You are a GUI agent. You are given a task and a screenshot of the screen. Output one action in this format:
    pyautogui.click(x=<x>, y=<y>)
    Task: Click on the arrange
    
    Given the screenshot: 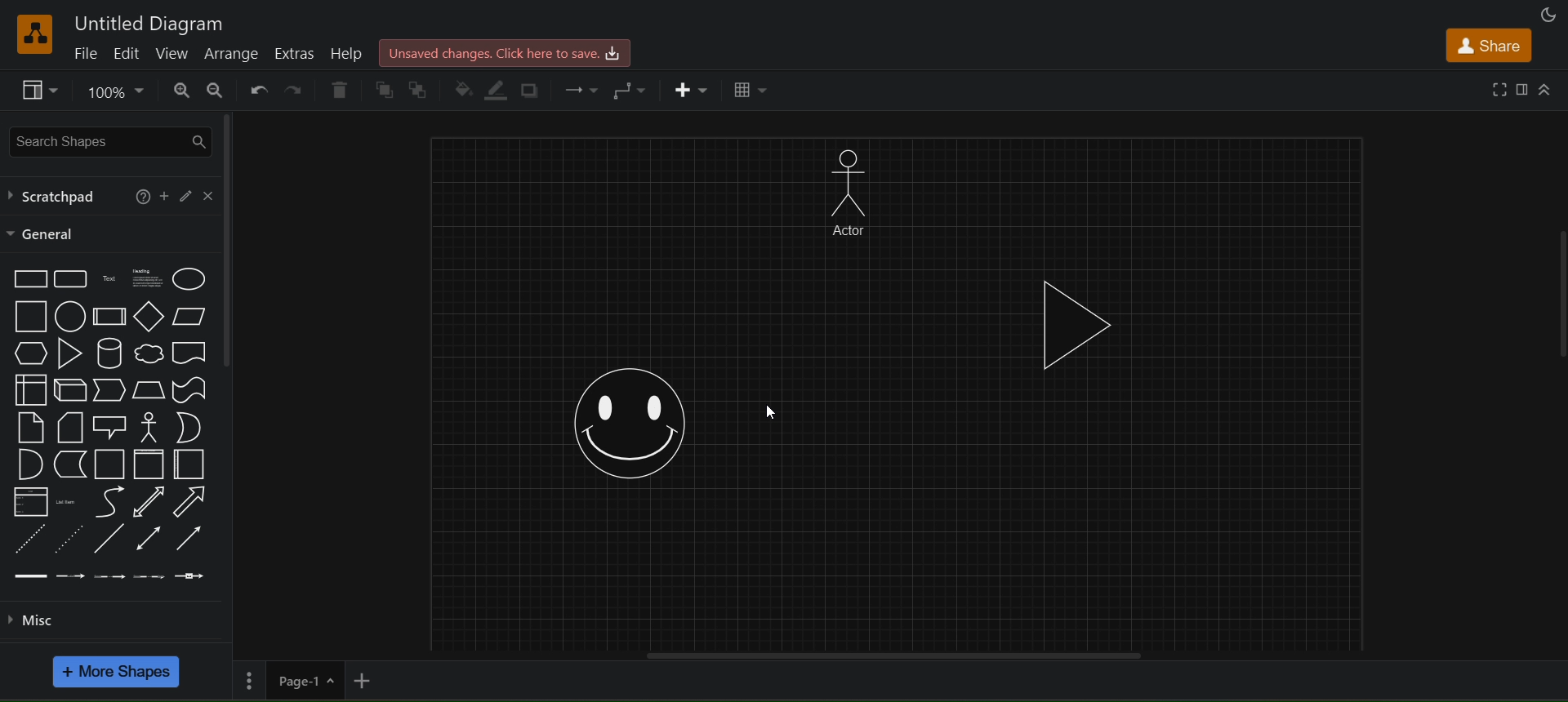 What is the action you would take?
    pyautogui.click(x=231, y=52)
    